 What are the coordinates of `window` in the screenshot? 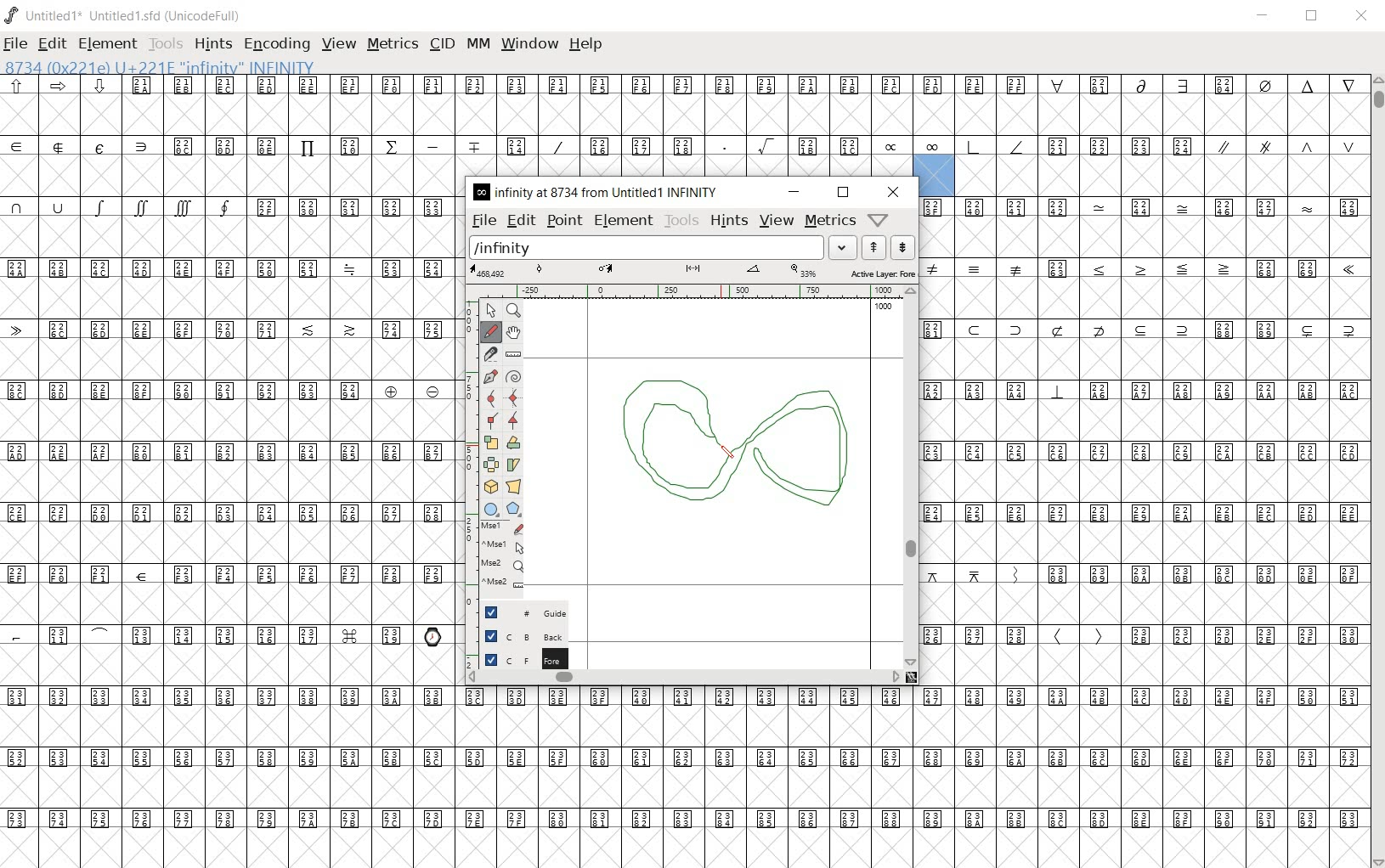 It's located at (529, 45).